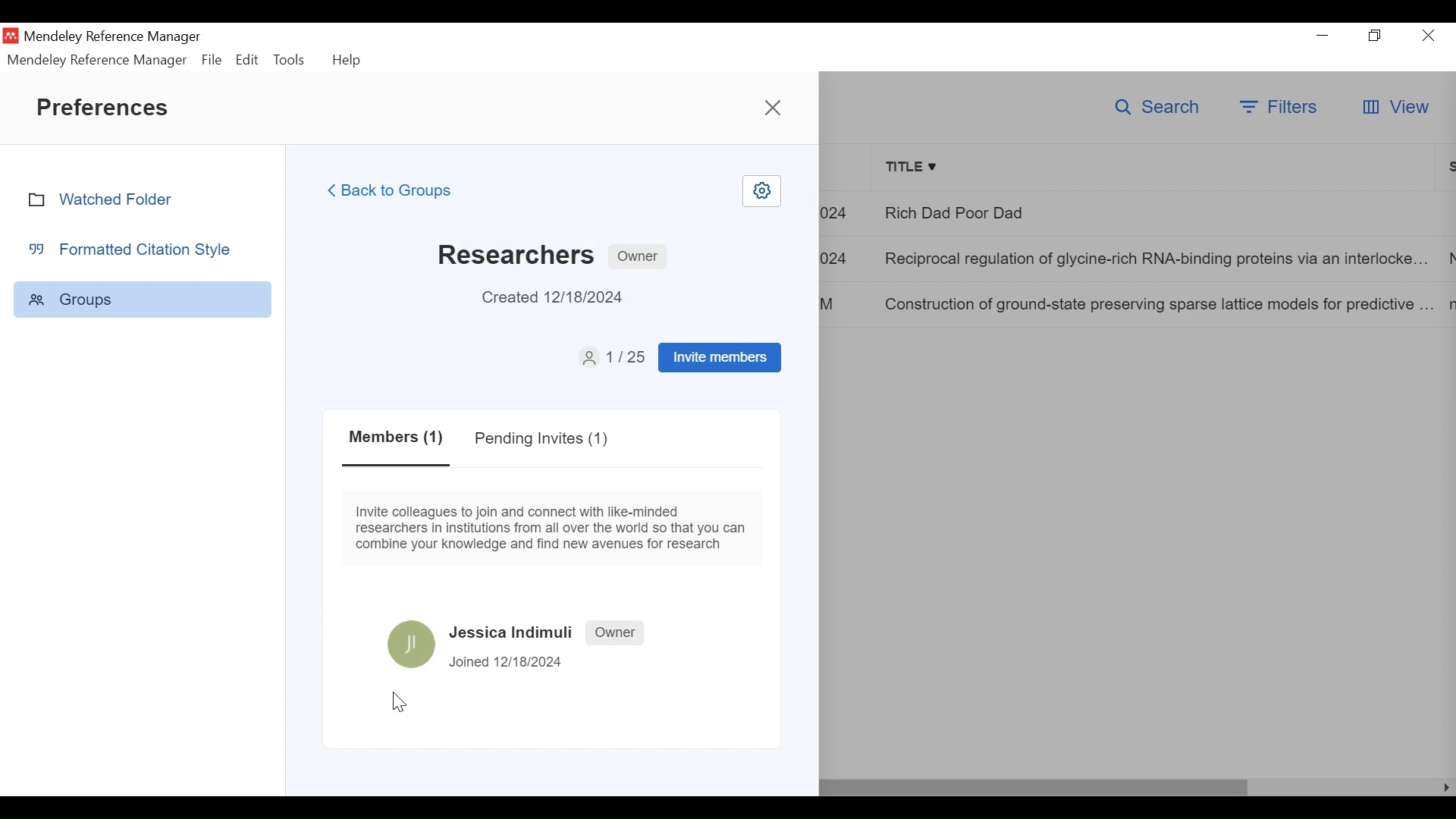  What do you see at coordinates (1395, 106) in the screenshot?
I see `View` at bounding box center [1395, 106].